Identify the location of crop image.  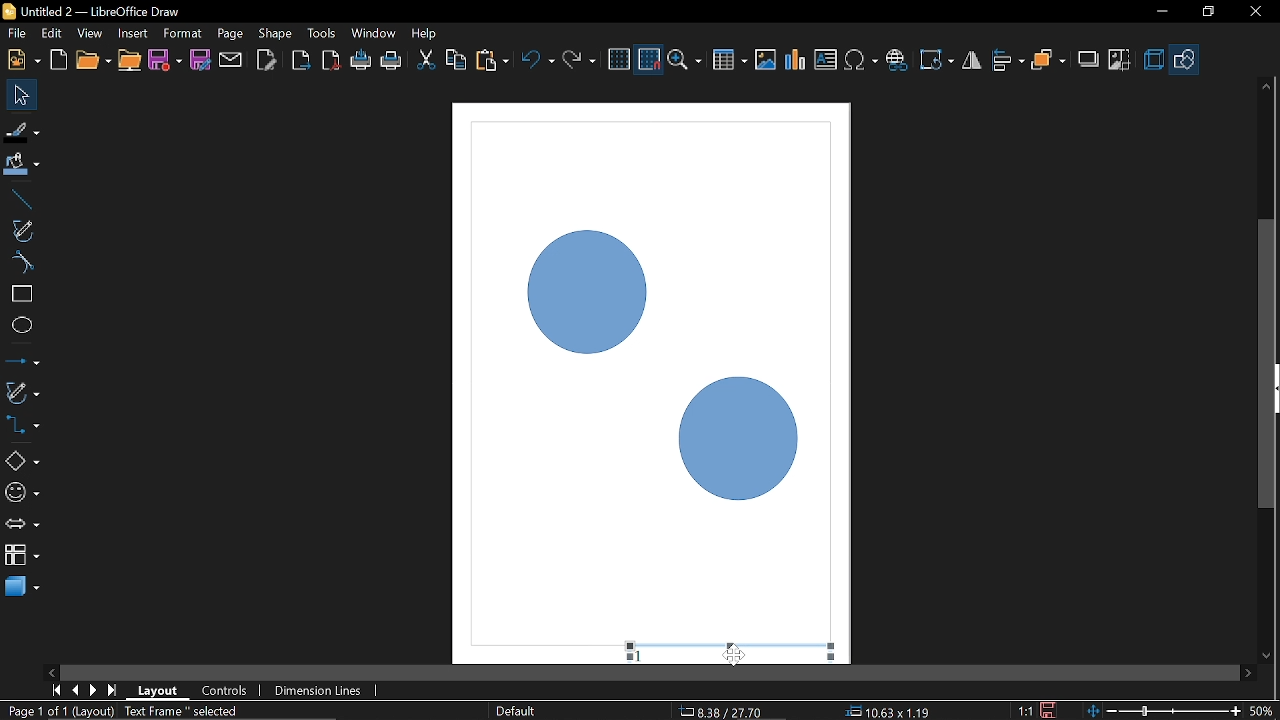
(1120, 61).